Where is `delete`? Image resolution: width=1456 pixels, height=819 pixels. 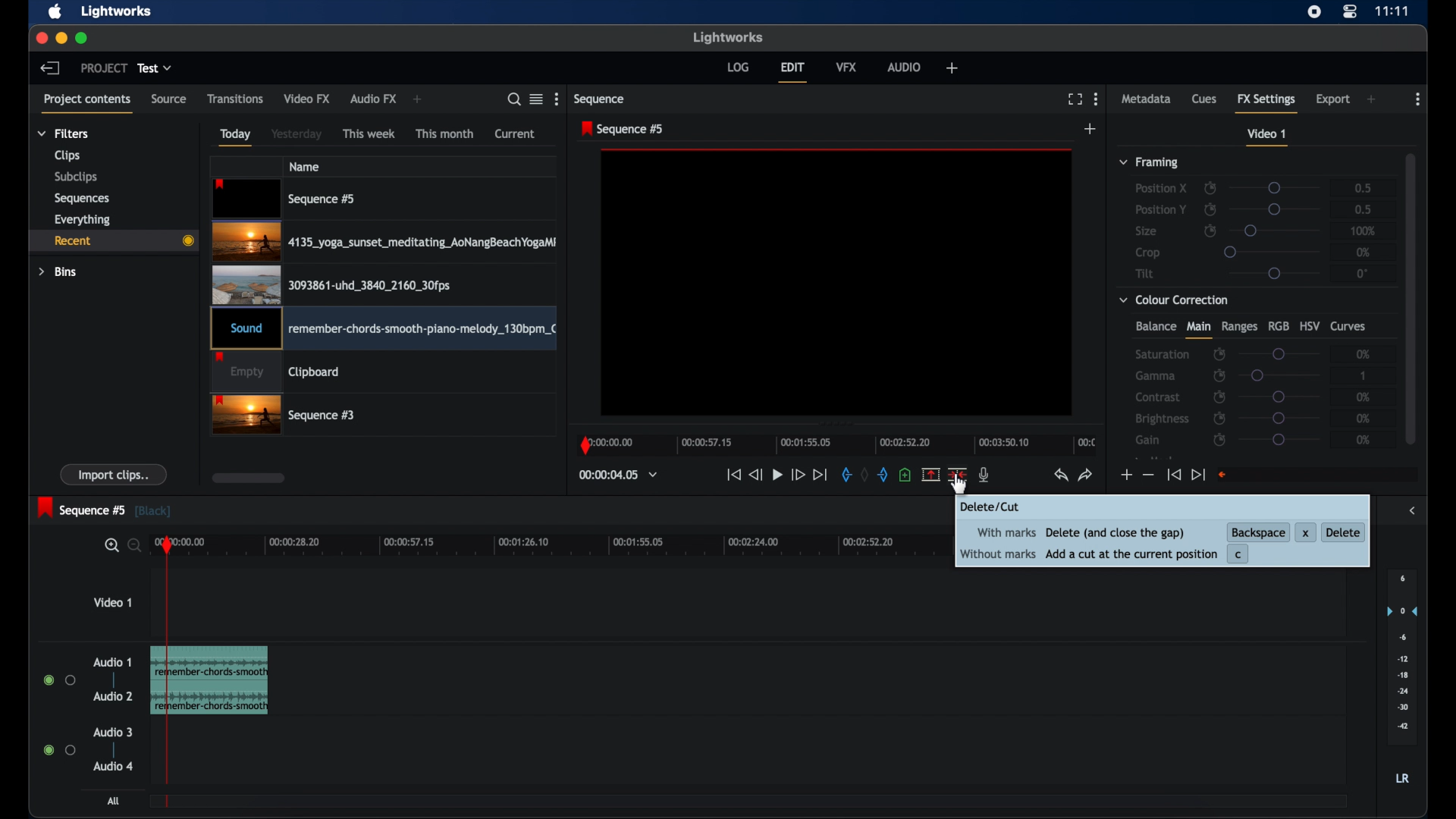 delete is located at coordinates (1343, 532).